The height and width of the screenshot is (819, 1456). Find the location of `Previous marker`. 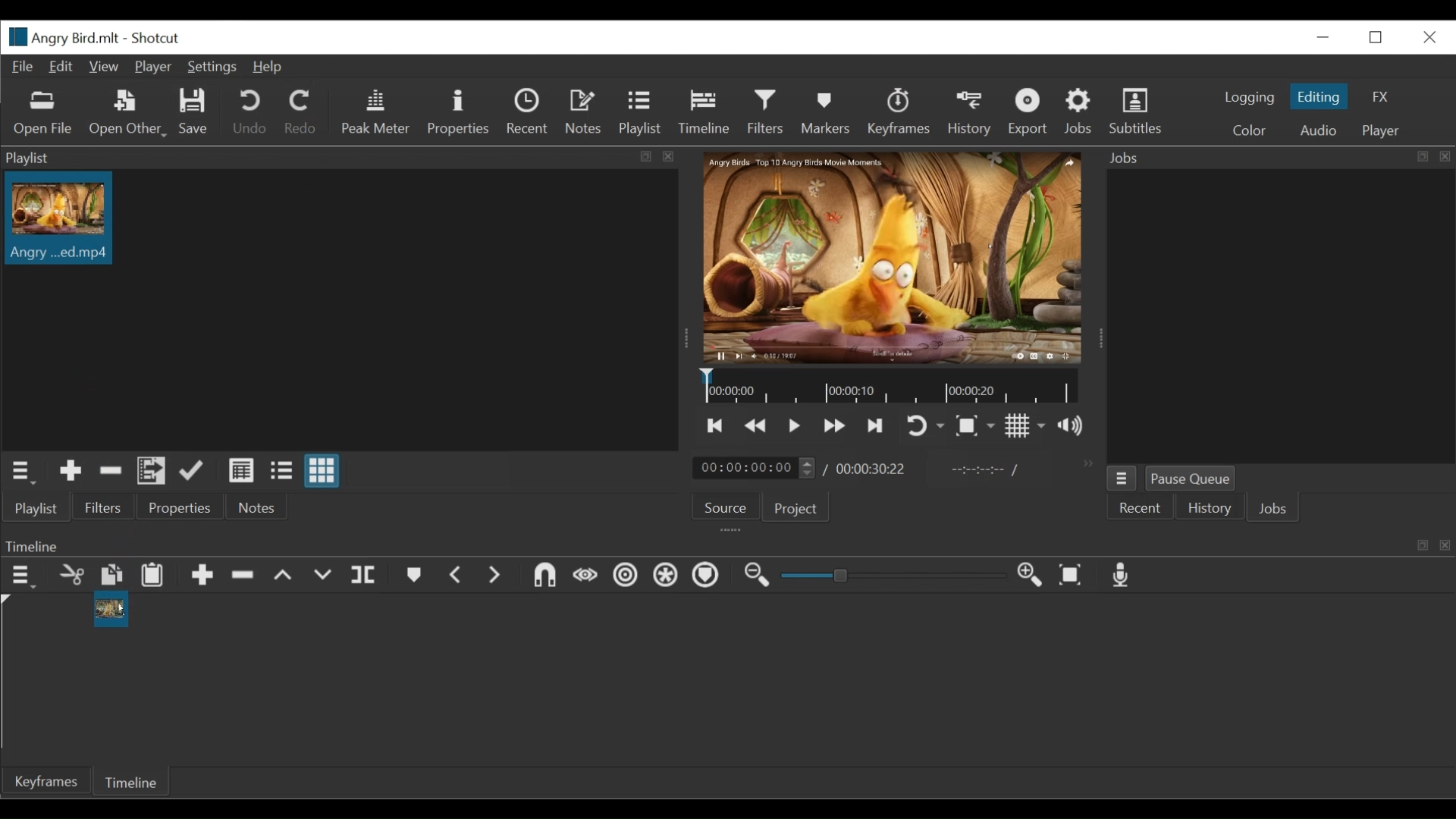

Previous marker is located at coordinates (457, 576).